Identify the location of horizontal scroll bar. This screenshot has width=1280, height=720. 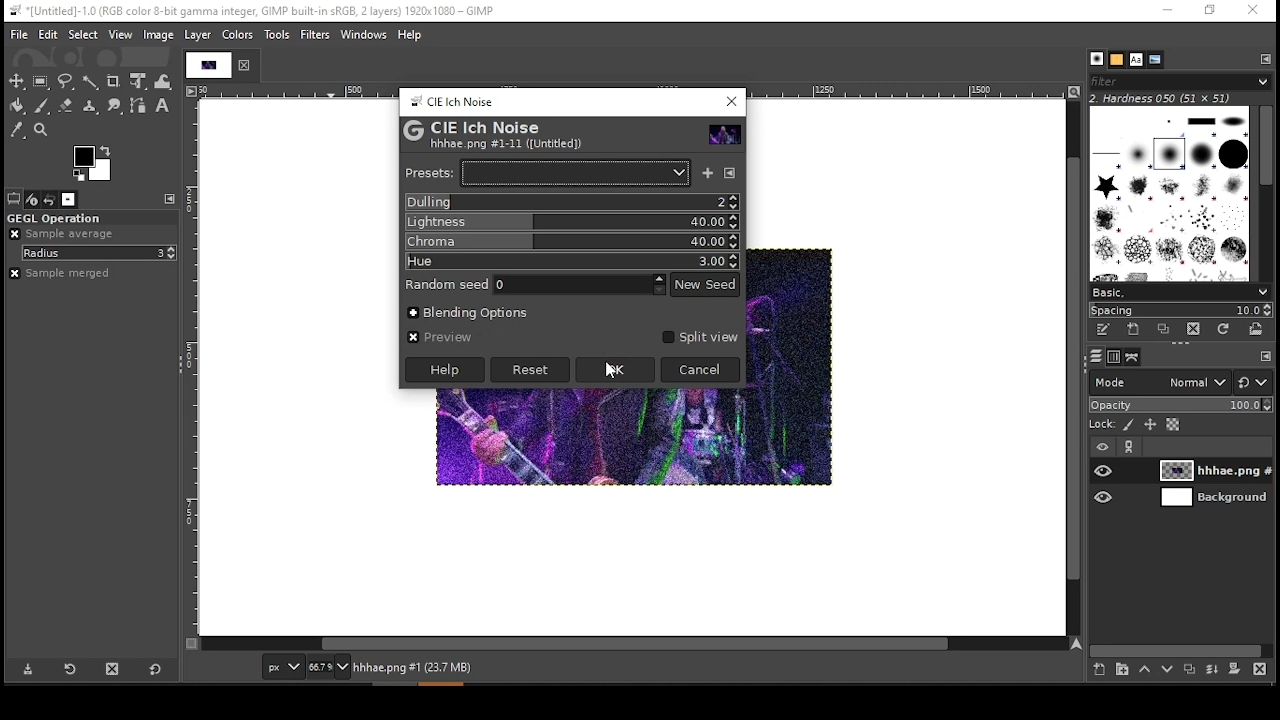
(634, 645).